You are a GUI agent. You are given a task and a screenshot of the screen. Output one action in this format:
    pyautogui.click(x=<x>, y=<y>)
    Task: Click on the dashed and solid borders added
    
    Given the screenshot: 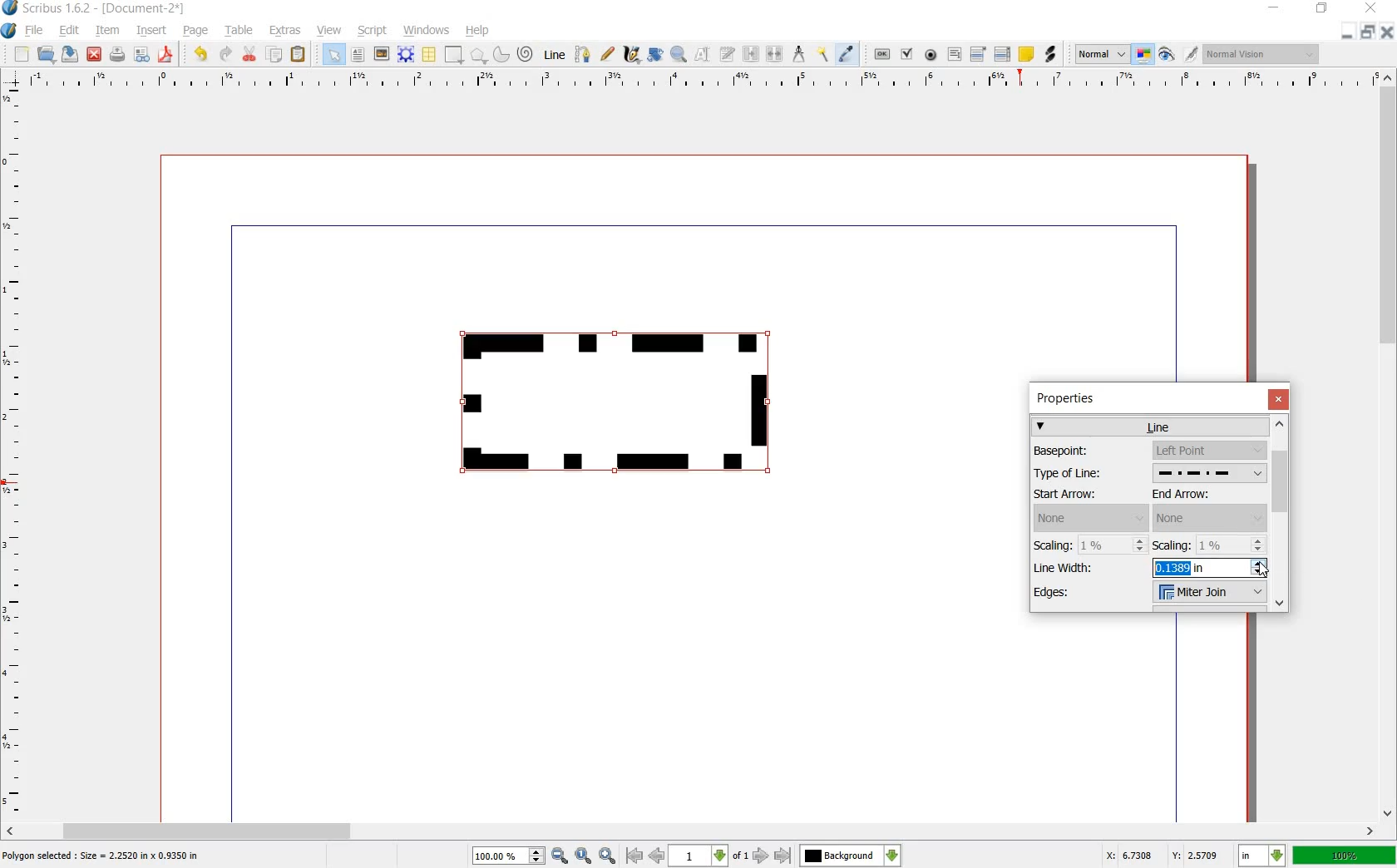 What is the action you would take?
    pyautogui.click(x=623, y=406)
    